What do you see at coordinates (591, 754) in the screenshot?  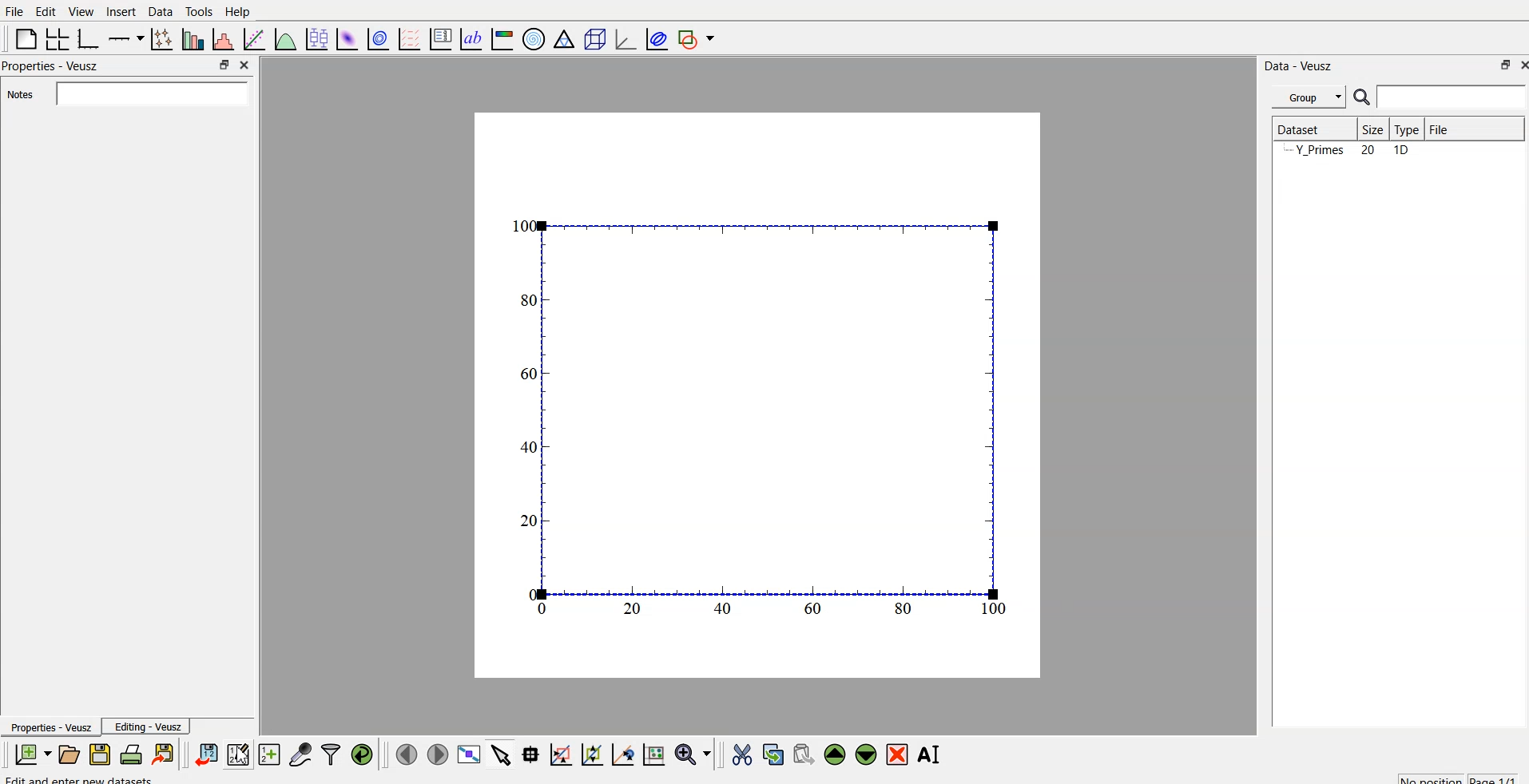 I see `draw ponts` at bounding box center [591, 754].